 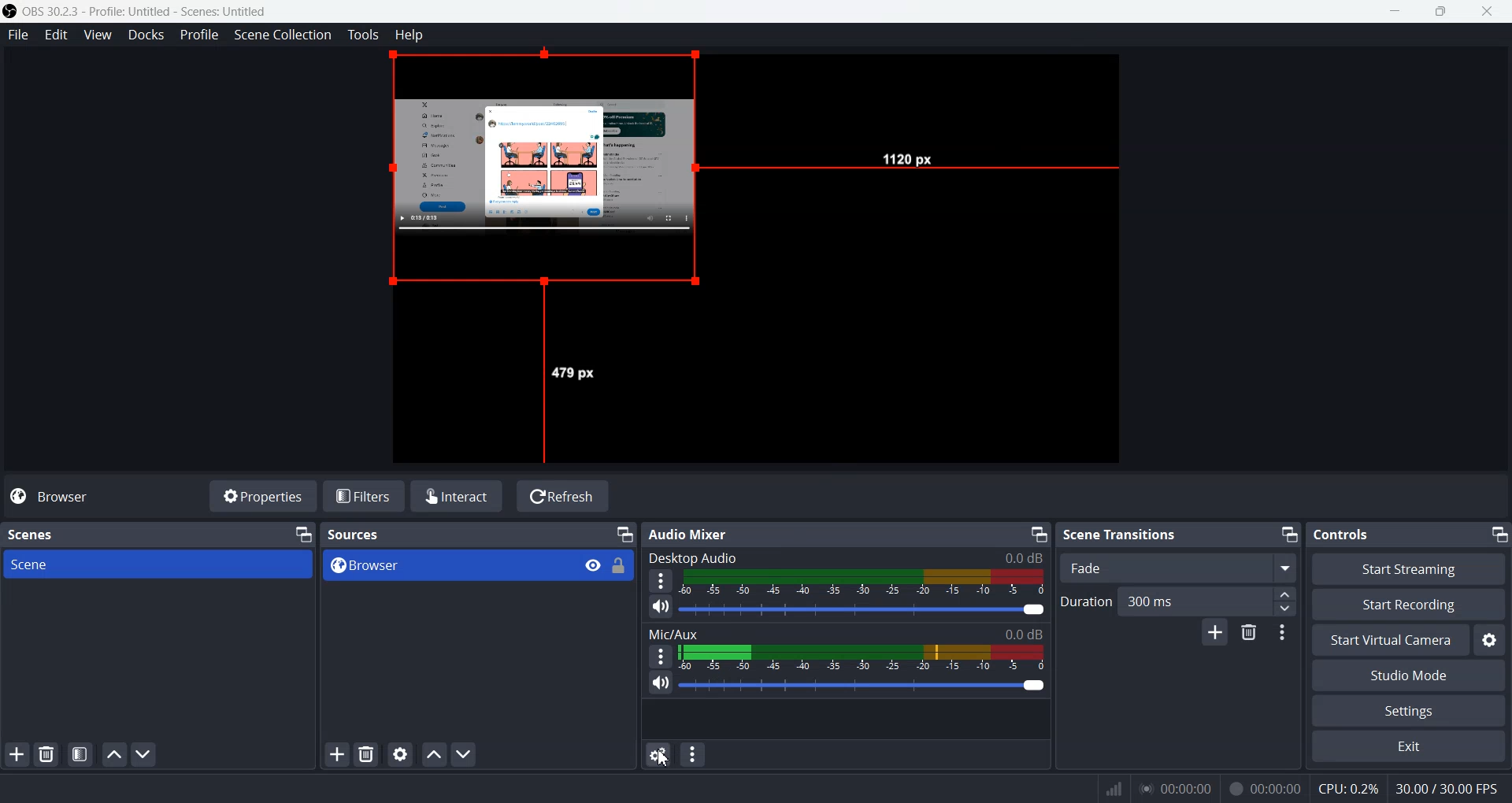 What do you see at coordinates (1451, 789) in the screenshot?
I see `30.00 / 30.00 FPS` at bounding box center [1451, 789].